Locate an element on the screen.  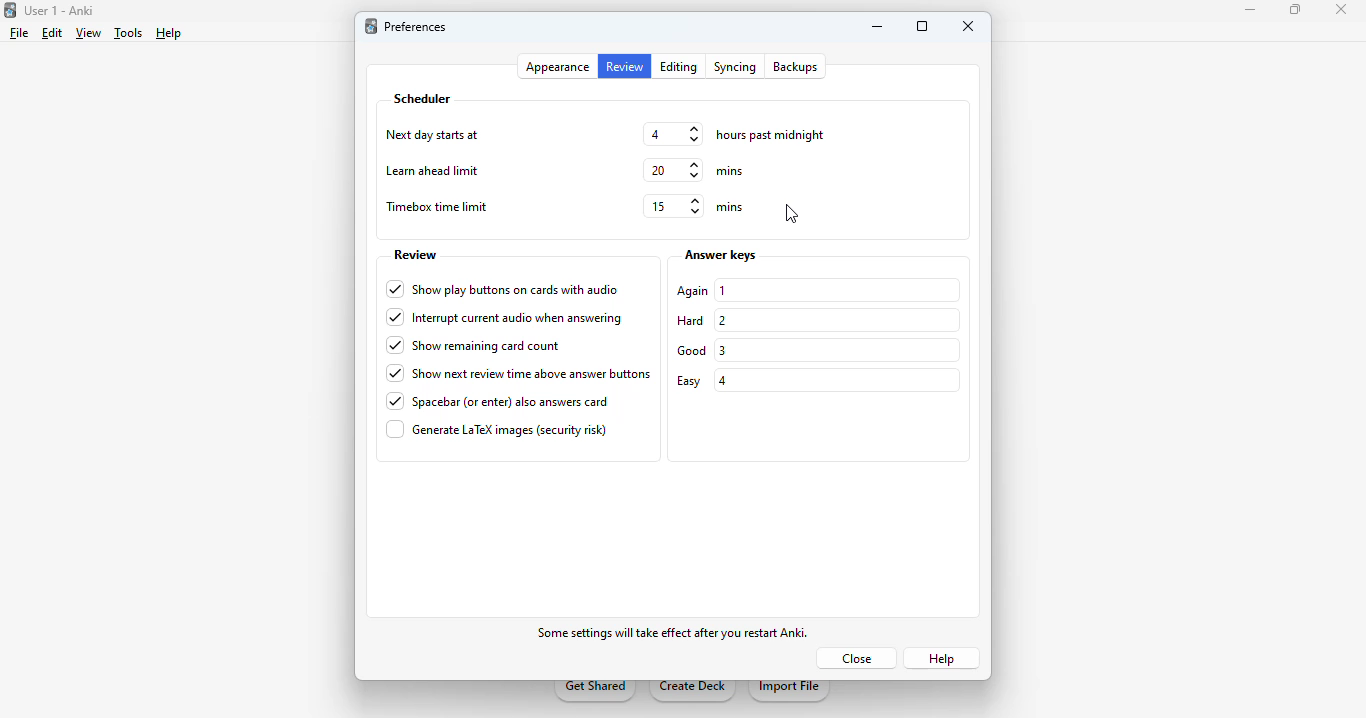
15 mins is located at coordinates (673, 205).